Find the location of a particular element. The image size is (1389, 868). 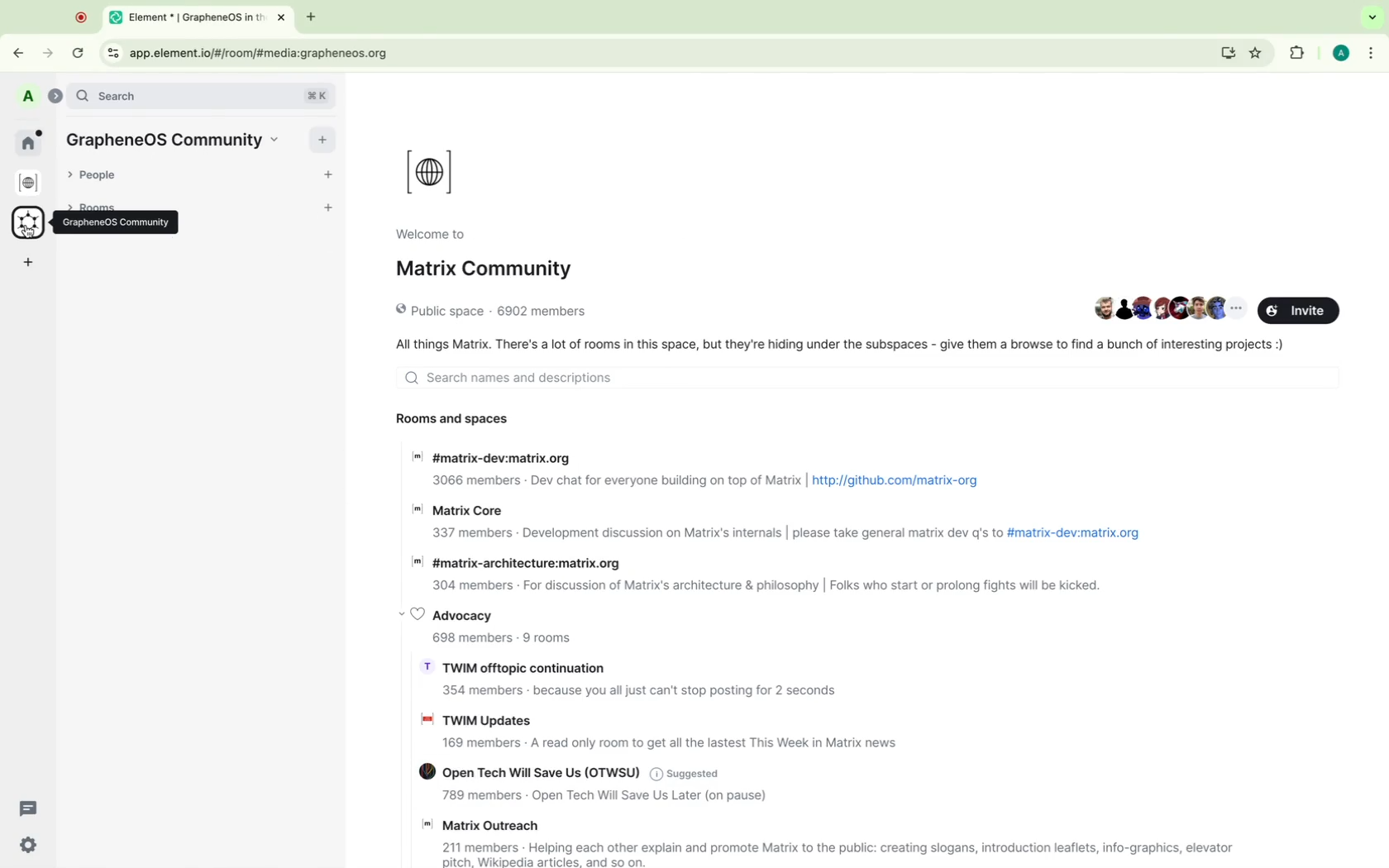

community name is located at coordinates (178, 139).